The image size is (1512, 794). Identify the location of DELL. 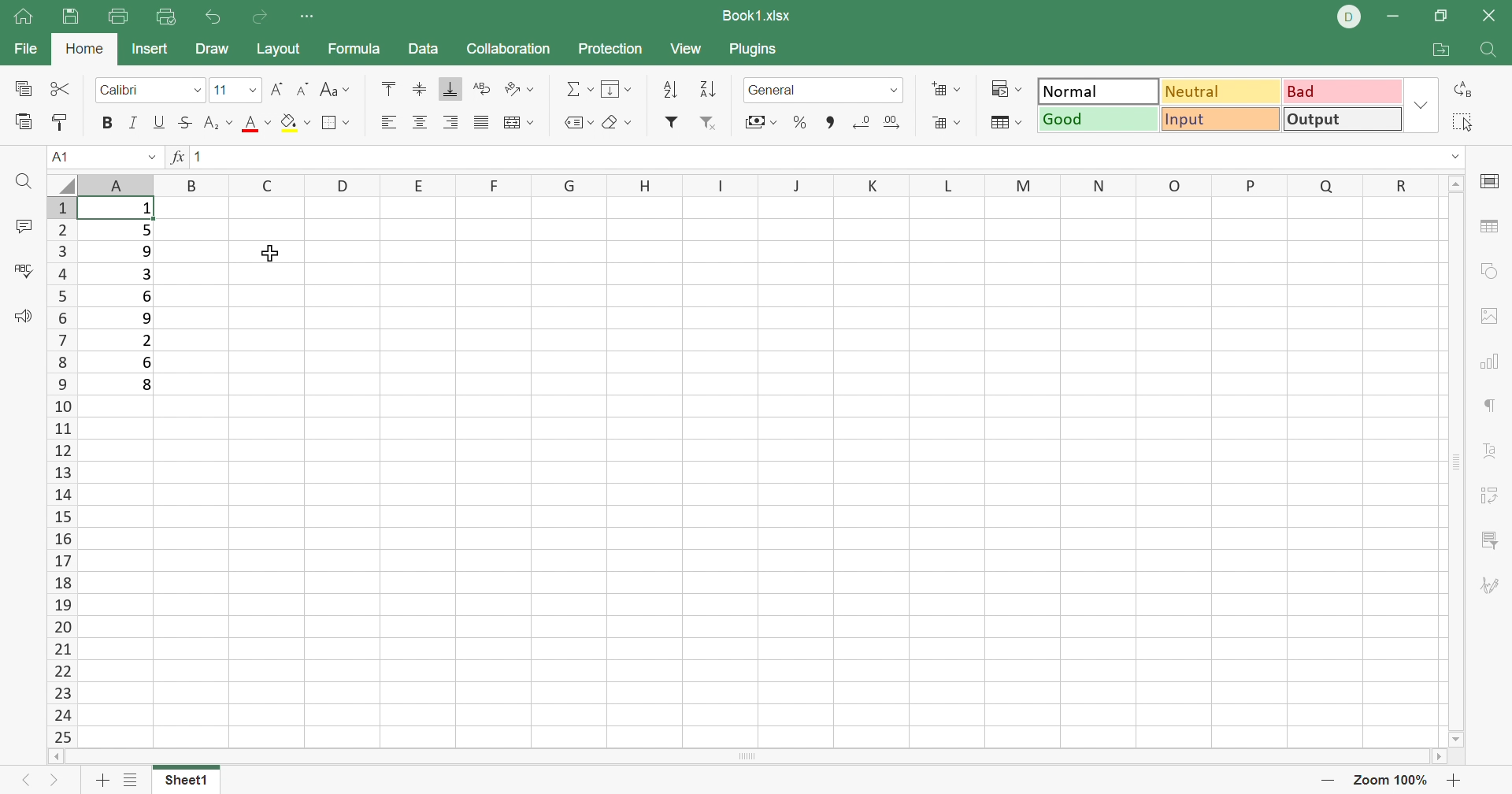
(1347, 17).